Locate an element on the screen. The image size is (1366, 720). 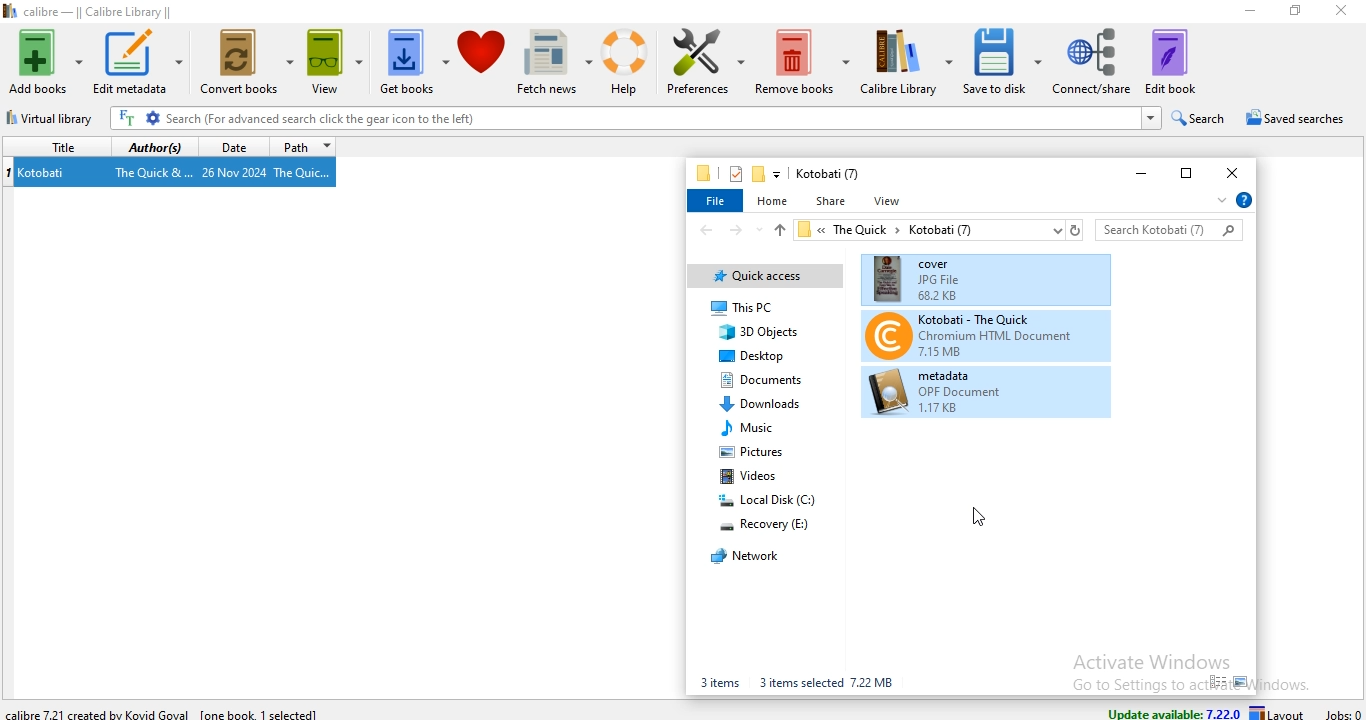
refresh is located at coordinates (1075, 229).